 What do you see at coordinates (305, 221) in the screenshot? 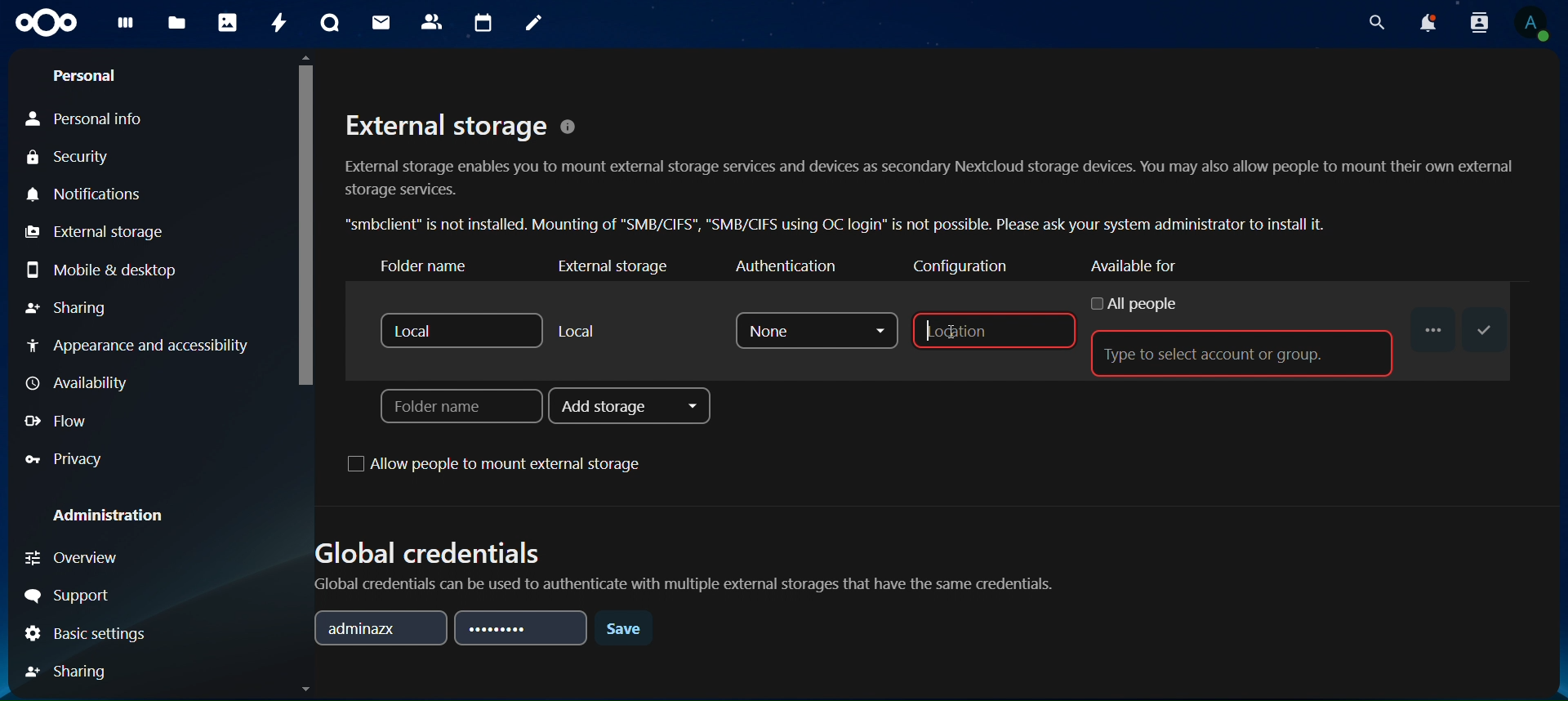
I see `cursor` at bounding box center [305, 221].